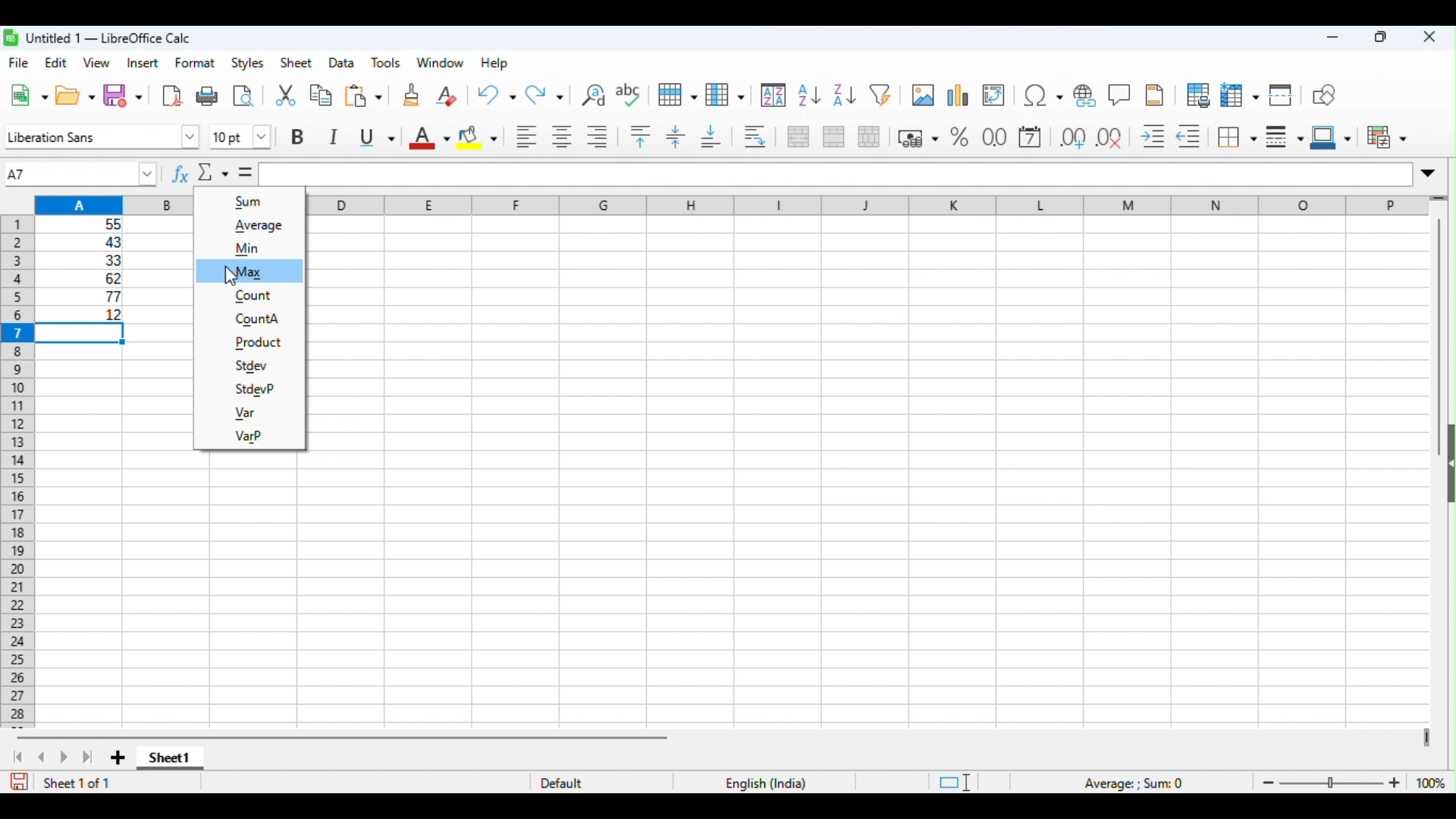 The image size is (1456, 819). I want to click on copy, so click(320, 96).